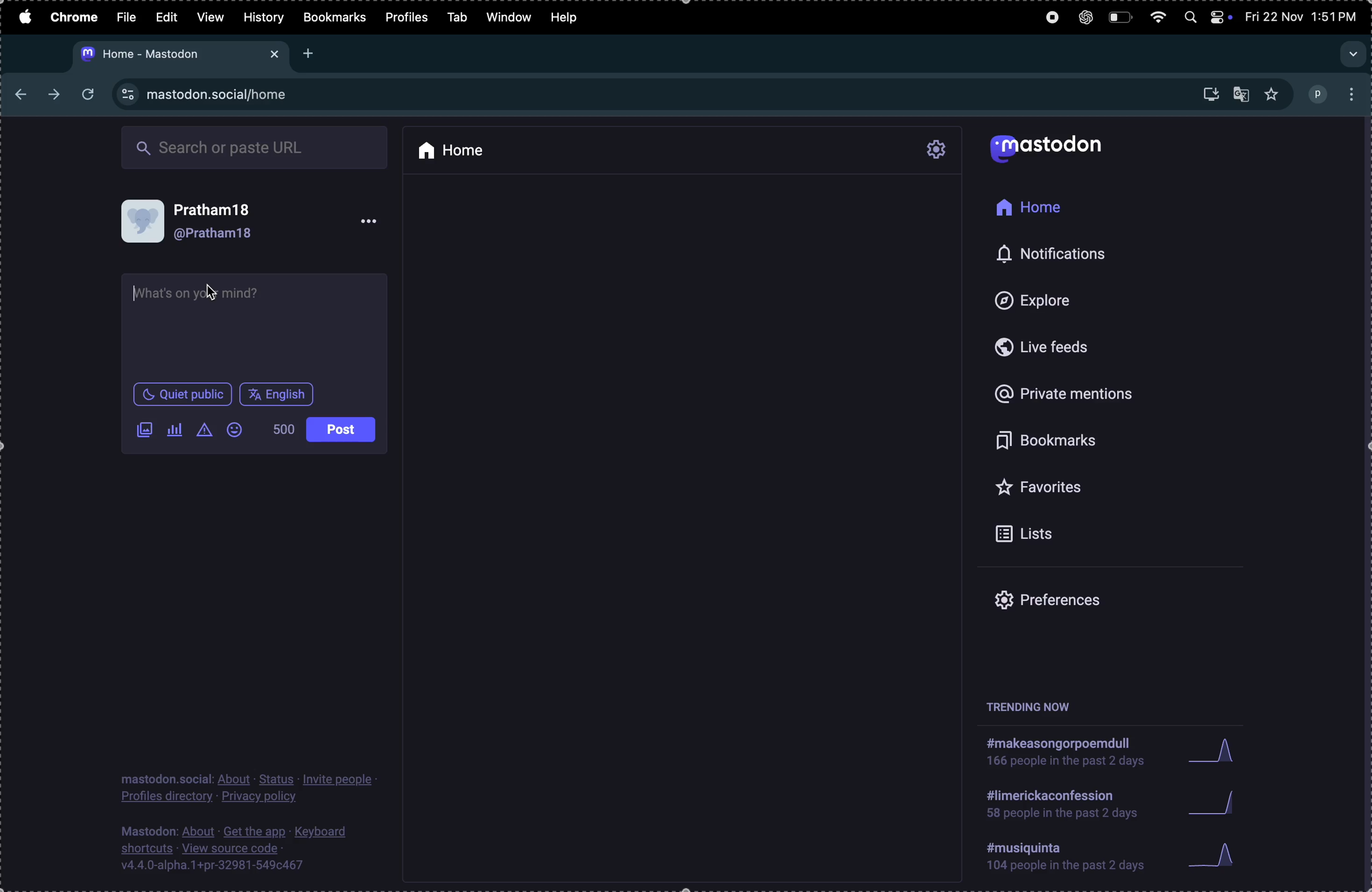 This screenshot has width=1372, height=892. I want to click on 500 words, so click(281, 428).